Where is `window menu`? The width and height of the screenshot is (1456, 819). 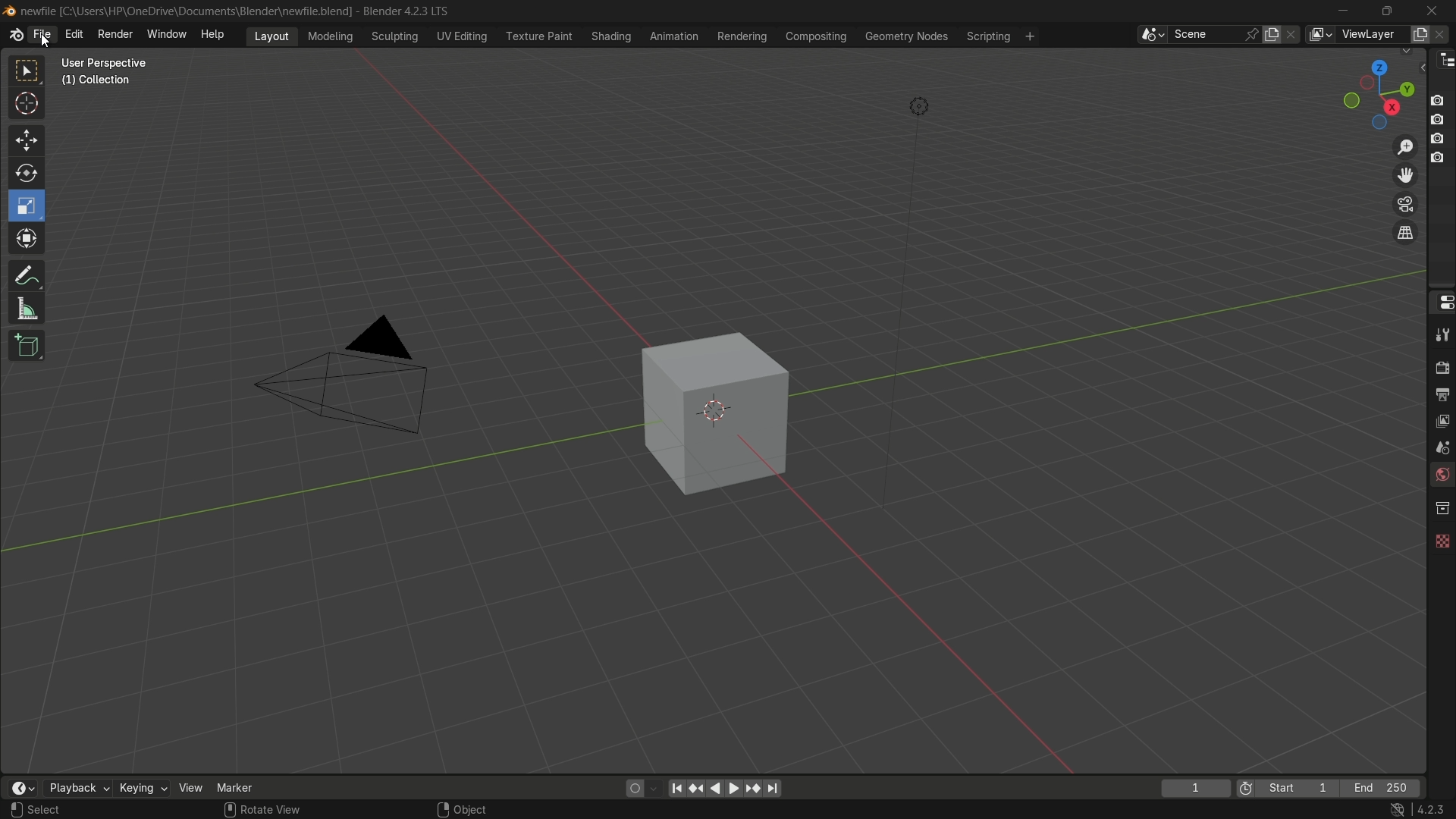
window menu is located at coordinates (168, 36).